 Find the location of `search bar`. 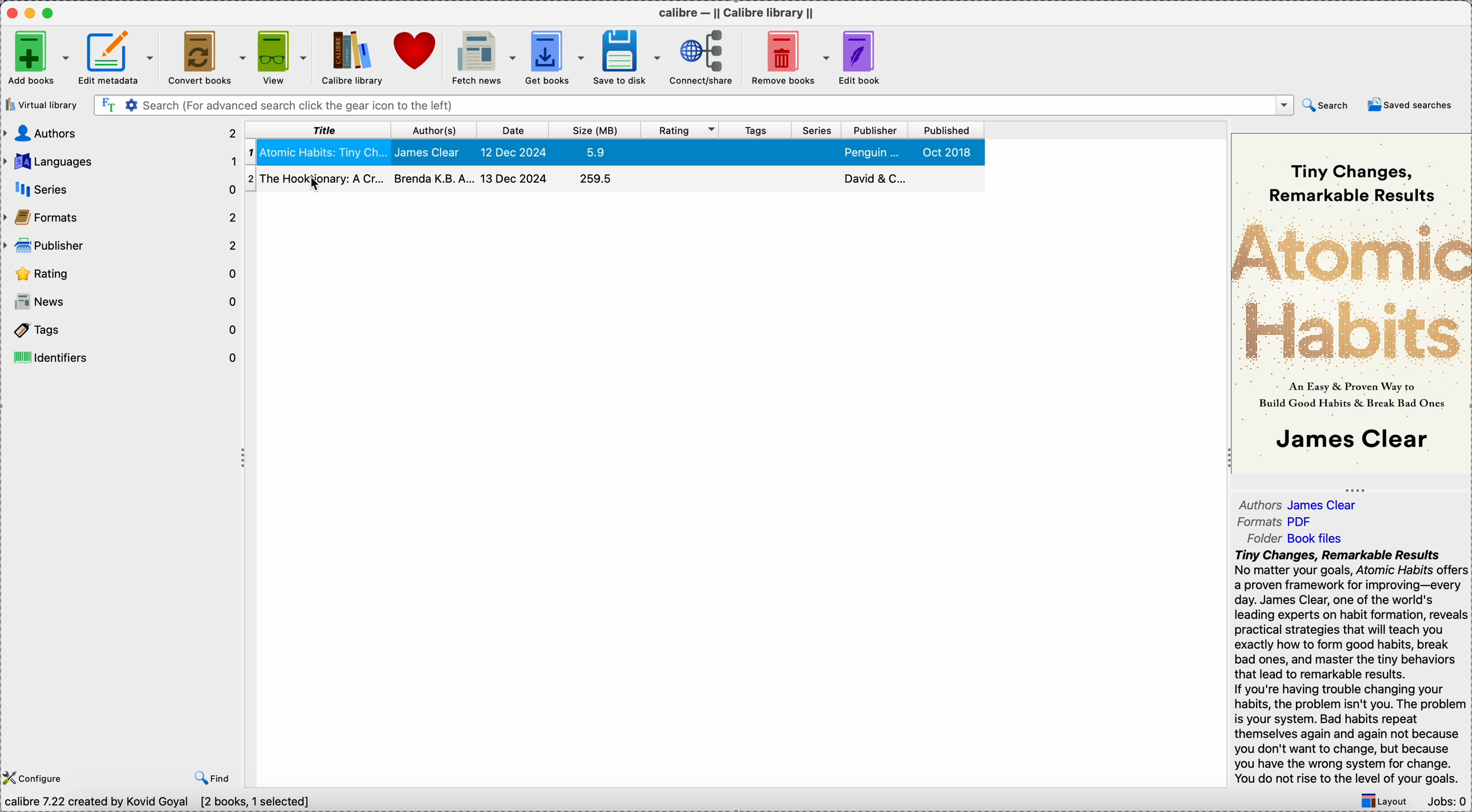

search bar is located at coordinates (694, 106).